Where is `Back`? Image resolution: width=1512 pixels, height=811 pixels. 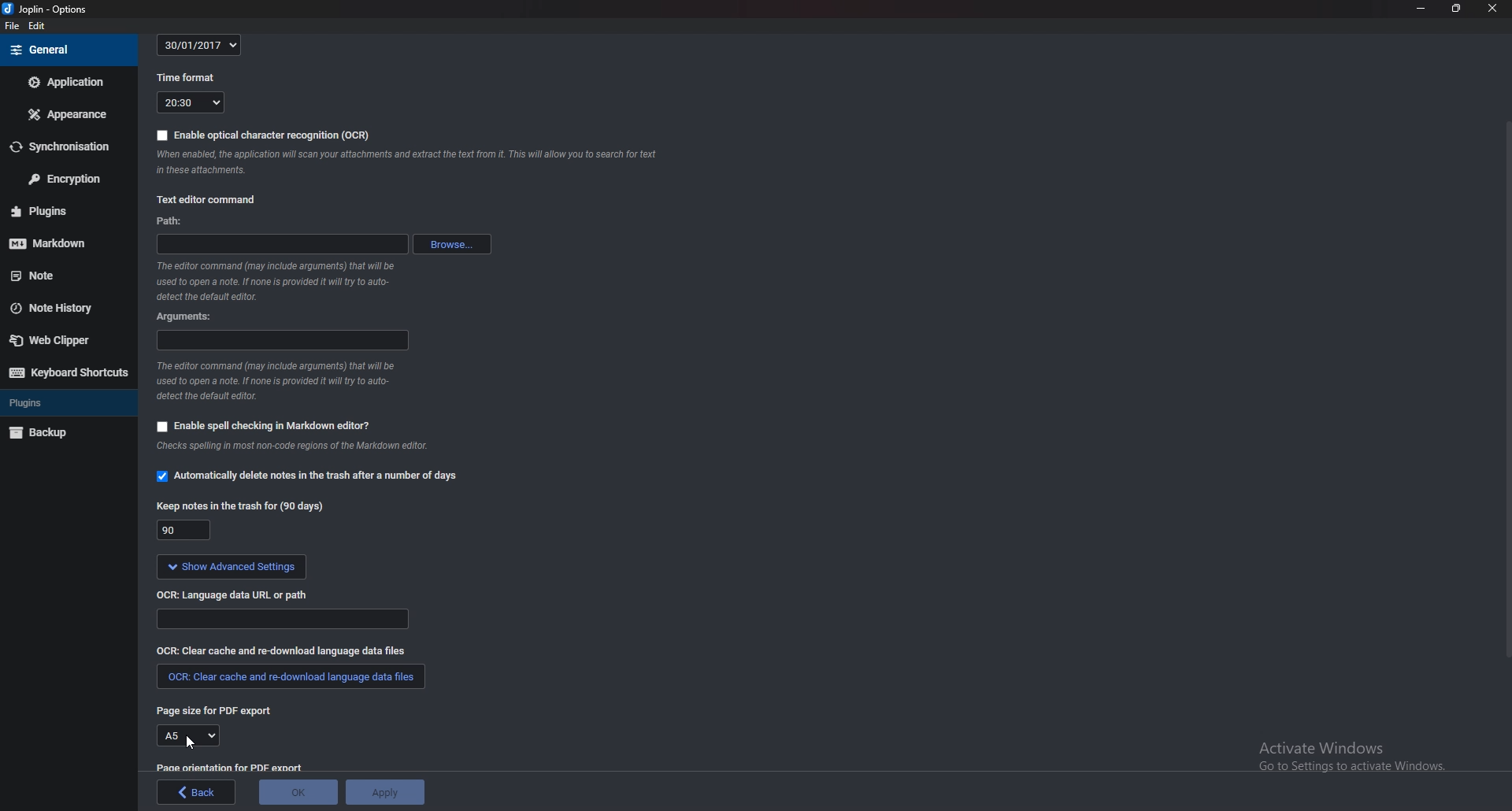
Back is located at coordinates (197, 792).